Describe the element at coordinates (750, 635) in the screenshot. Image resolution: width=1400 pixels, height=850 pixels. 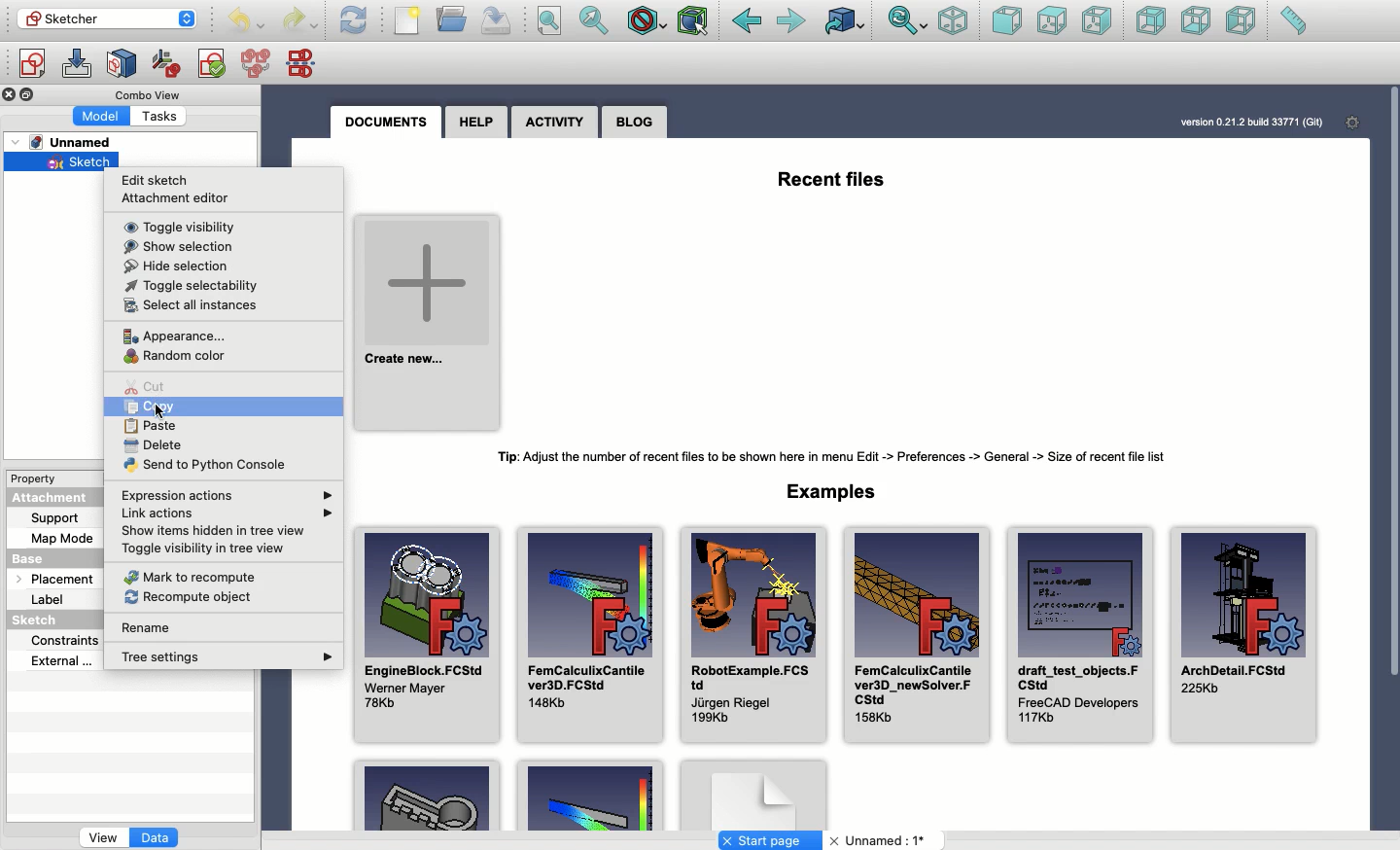
I see `RobotExample` at that location.